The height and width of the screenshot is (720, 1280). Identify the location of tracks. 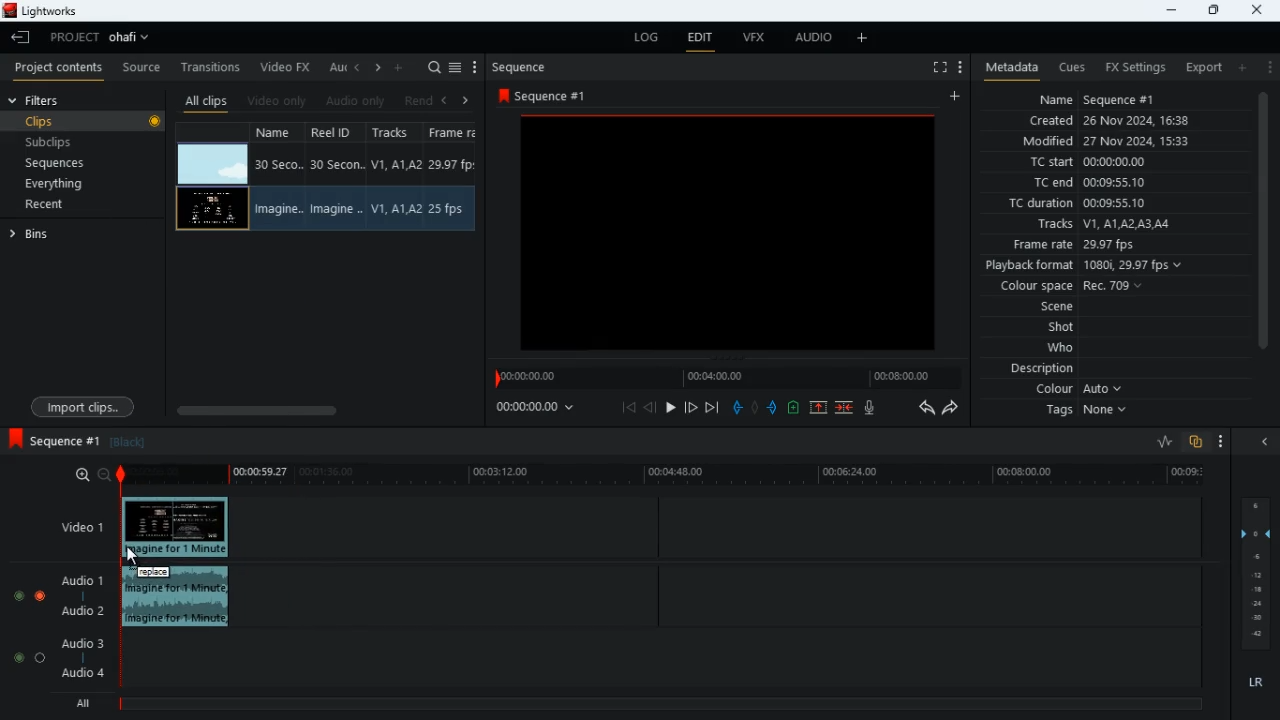
(1107, 224).